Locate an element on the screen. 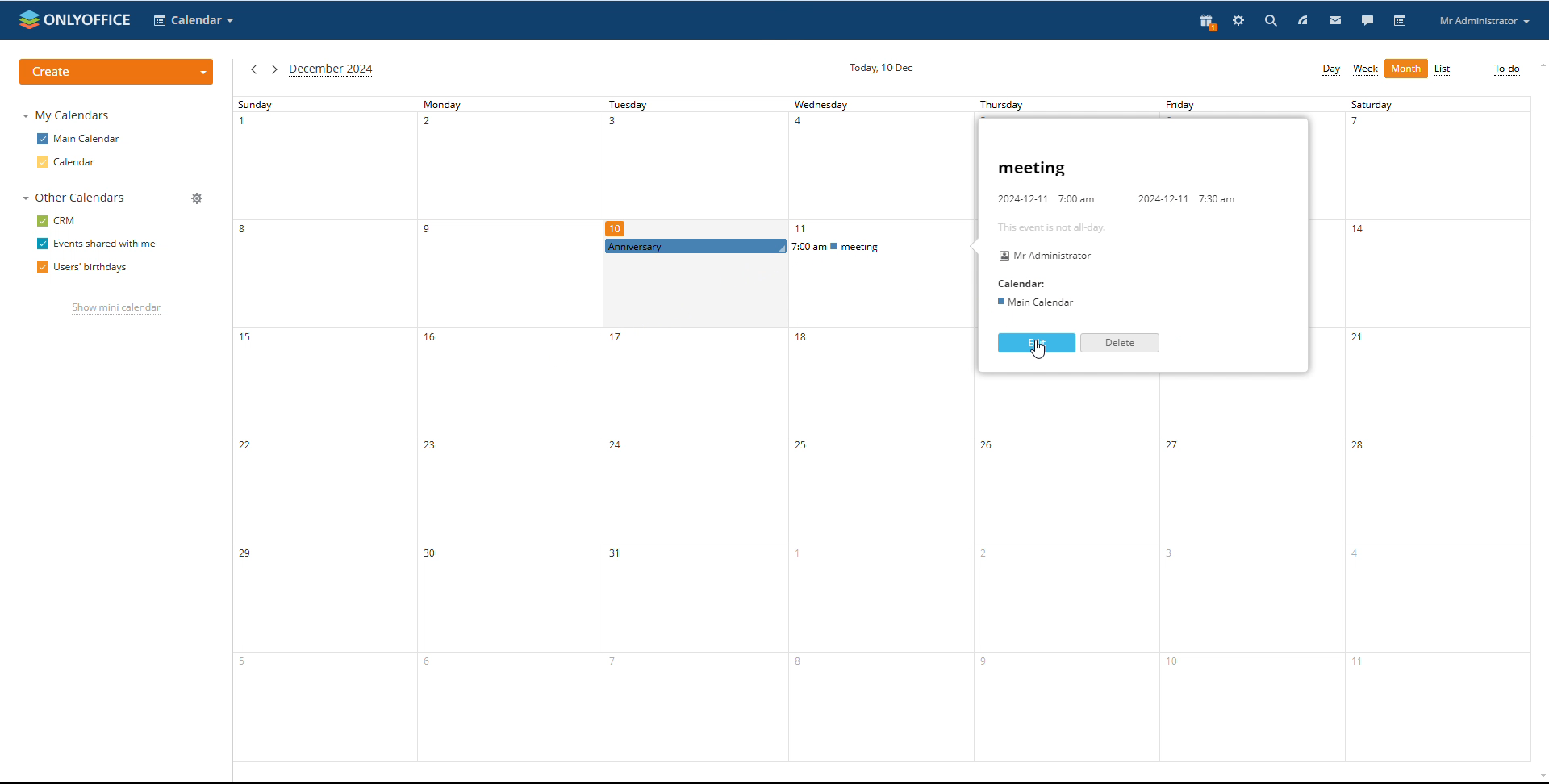 Image resolution: width=1549 pixels, height=784 pixels. main calender is located at coordinates (1039, 302).